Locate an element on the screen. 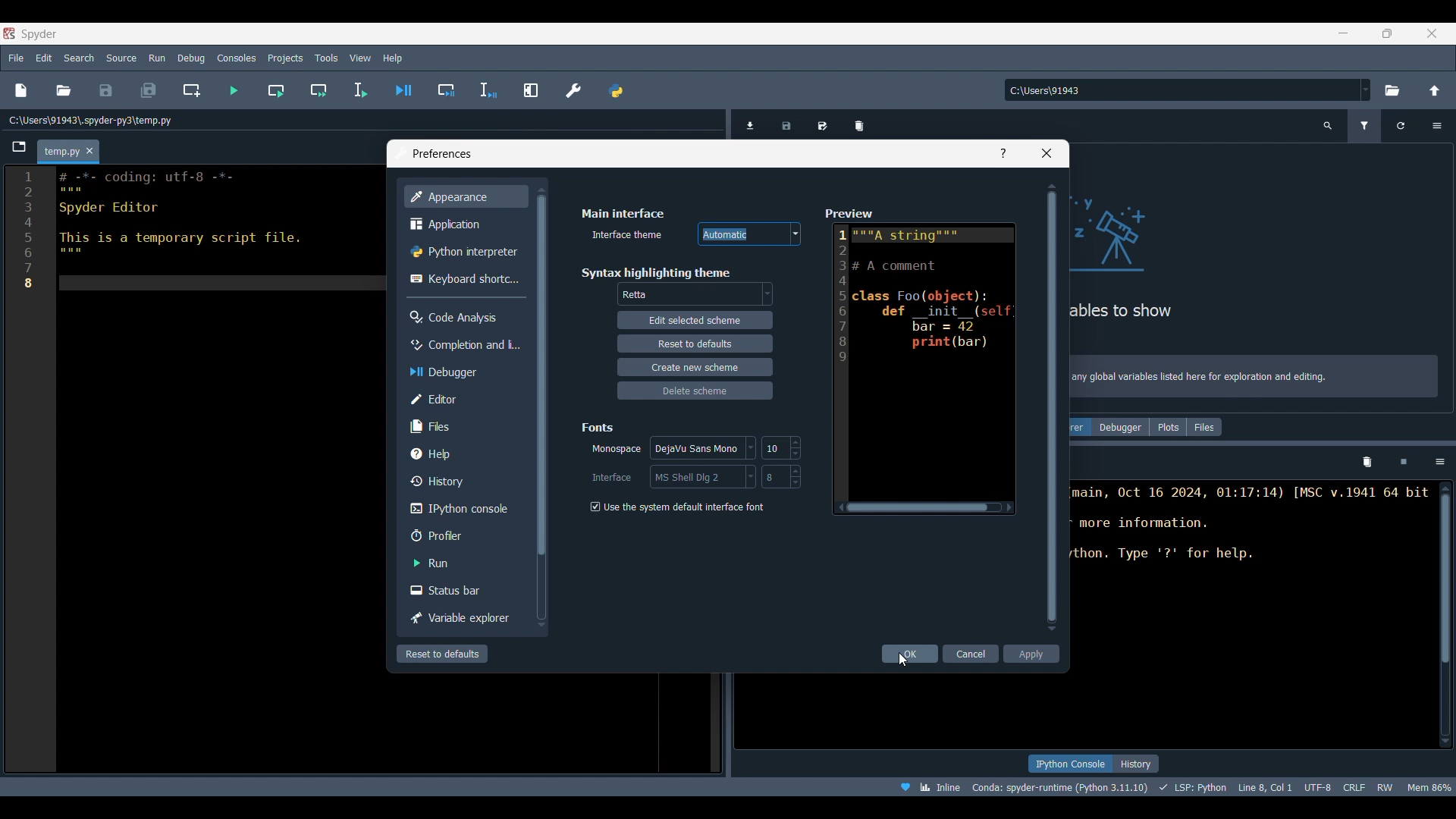 The height and width of the screenshot is (819, 1456). Cancel  is located at coordinates (972, 654).